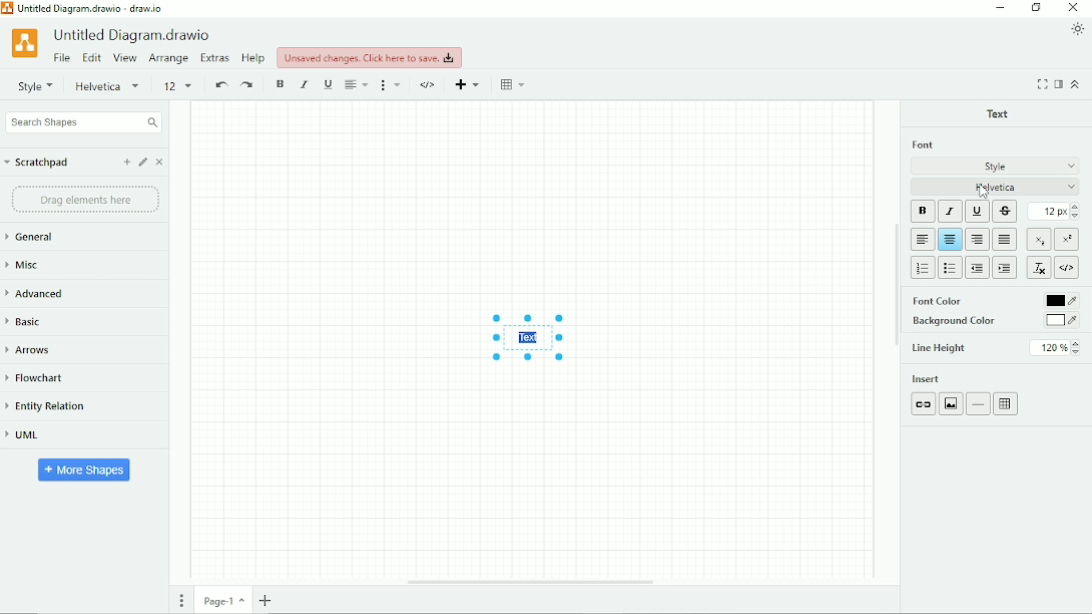 The height and width of the screenshot is (614, 1092). What do you see at coordinates (995, 165) in the screenshot?
I see `Style` at bounding box center [995, 165].